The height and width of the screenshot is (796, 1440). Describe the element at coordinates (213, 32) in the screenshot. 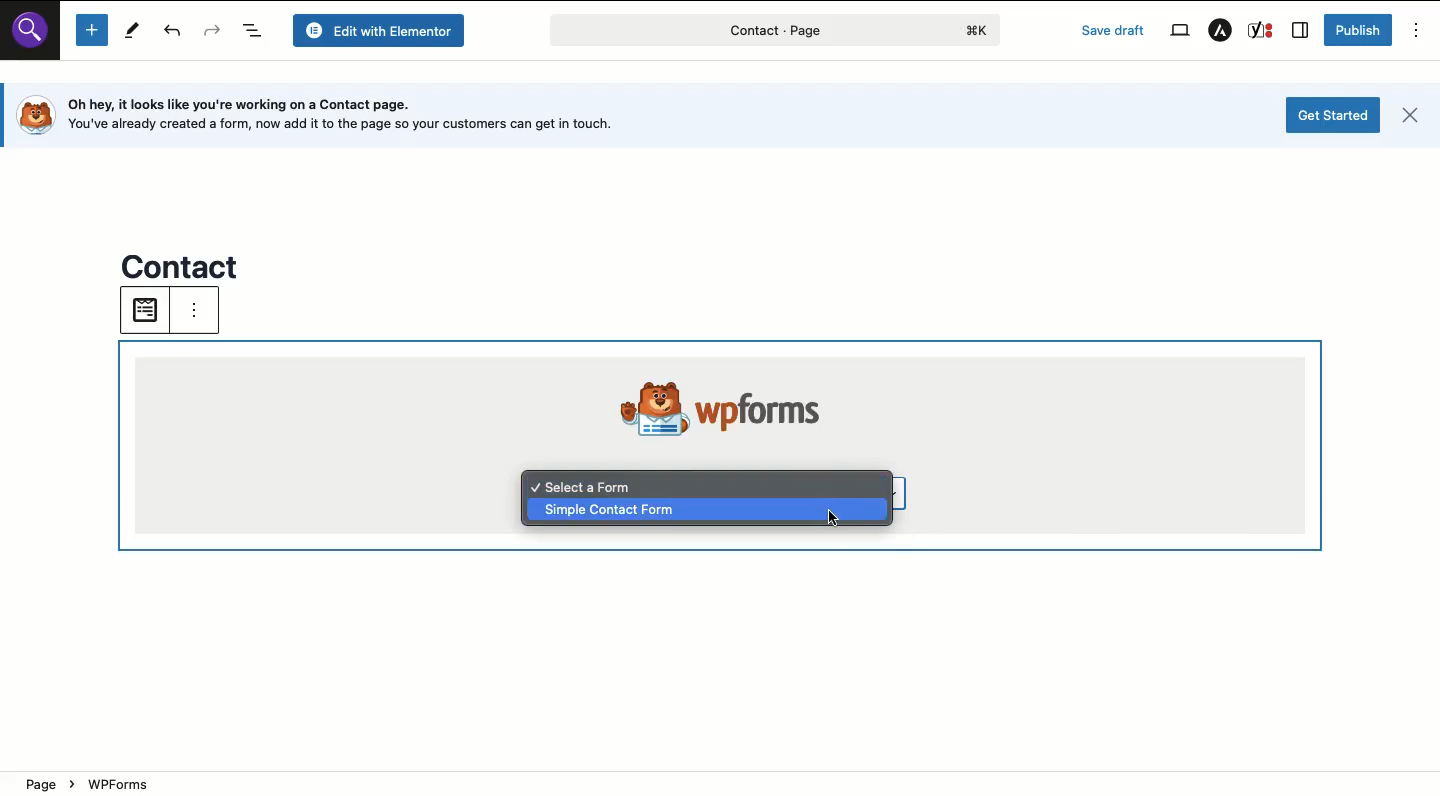

I see `Redo` at that location.